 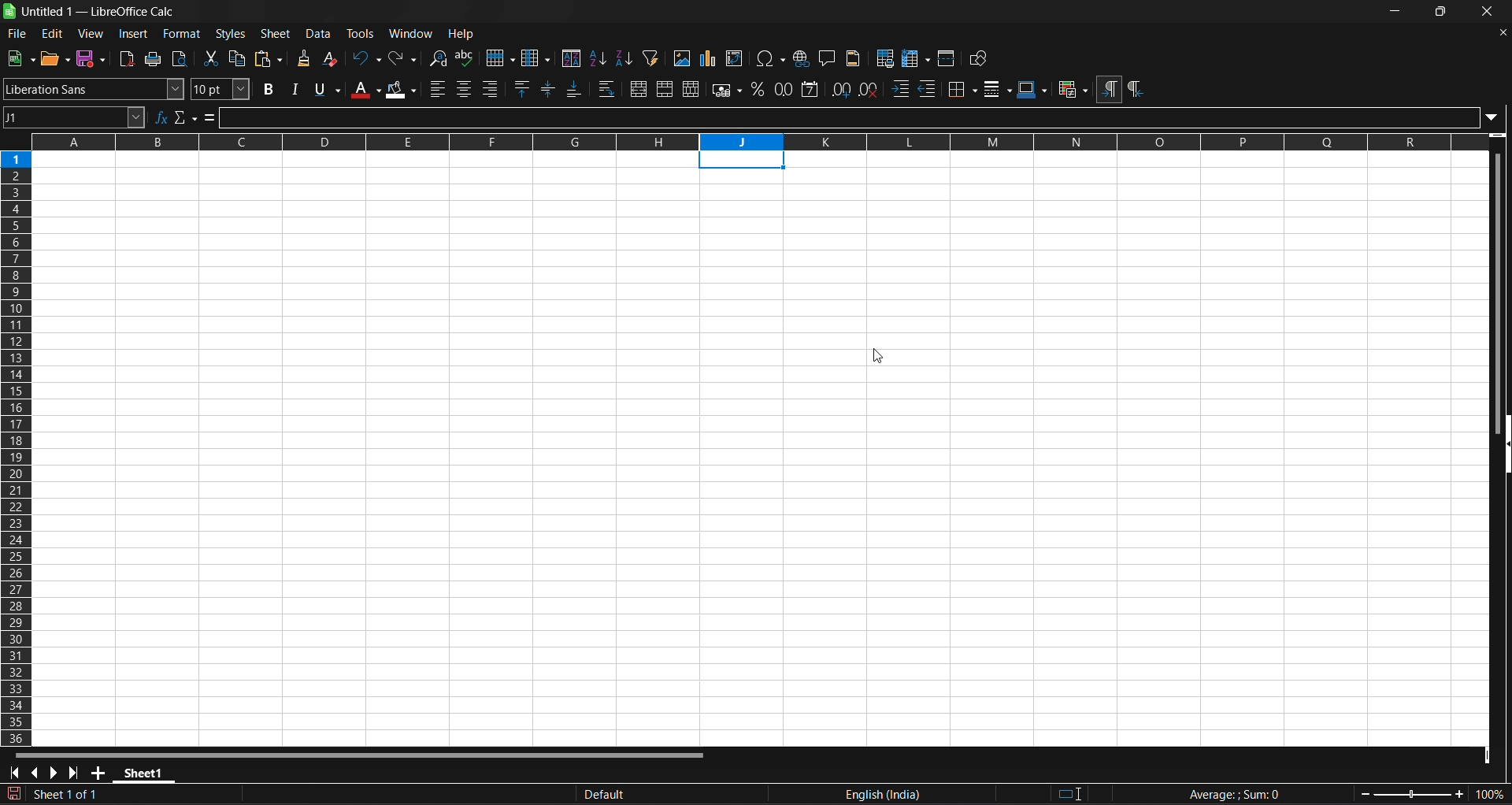 What do you see at coordinates (803, 58) in the screenshot?
I see `insert hyperlink` at bounding box center [803, 58].